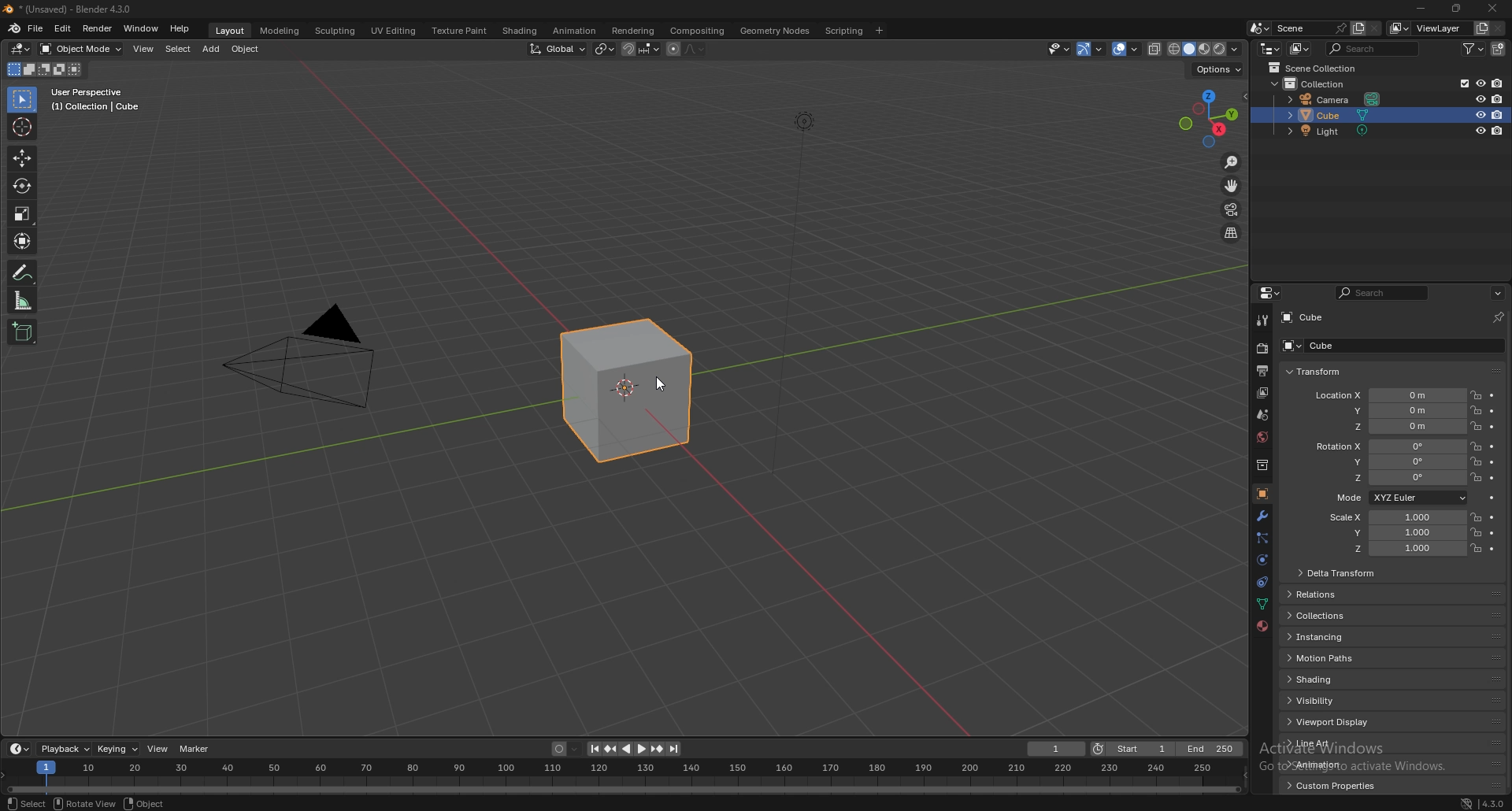  What do you see at coordinates (1135, 750) in the screenshot?
I see `start` at bounding box center [1135, 750].